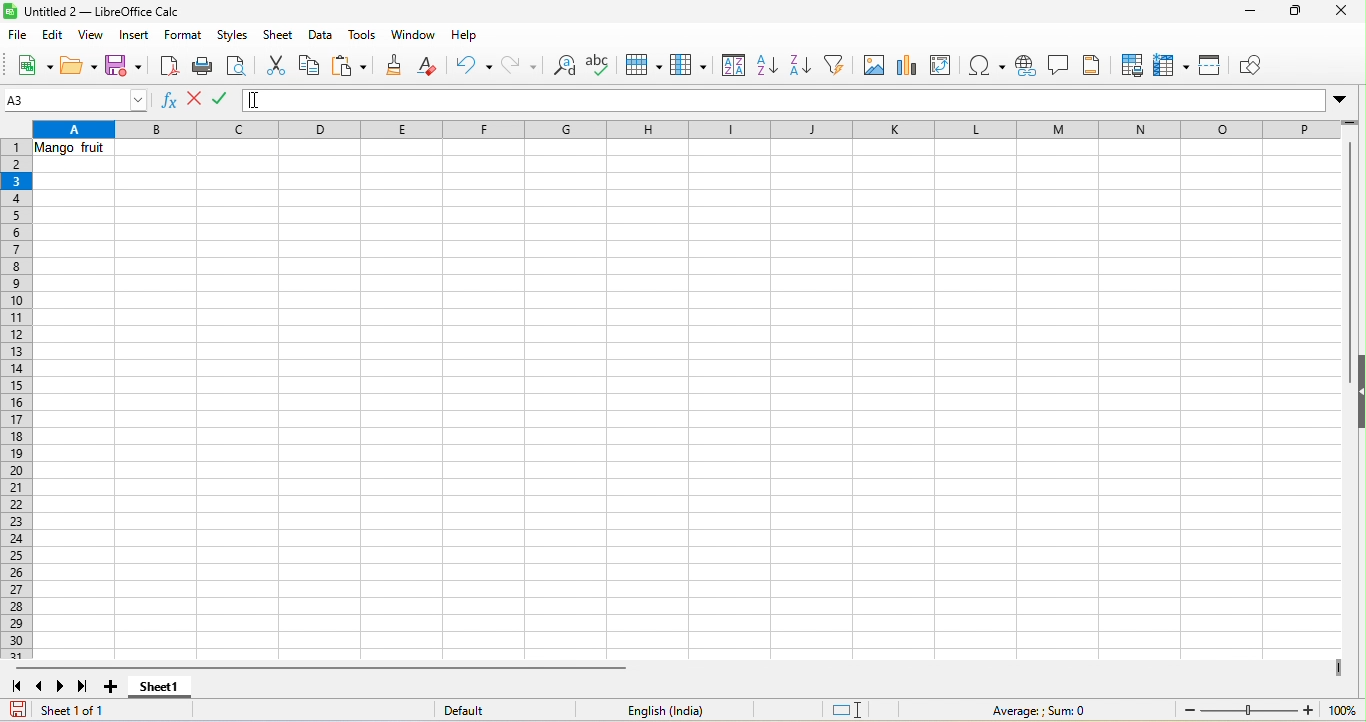  Describe the element at coordinates (878, 101) in the screenshot. I see `formula bar` at that location.